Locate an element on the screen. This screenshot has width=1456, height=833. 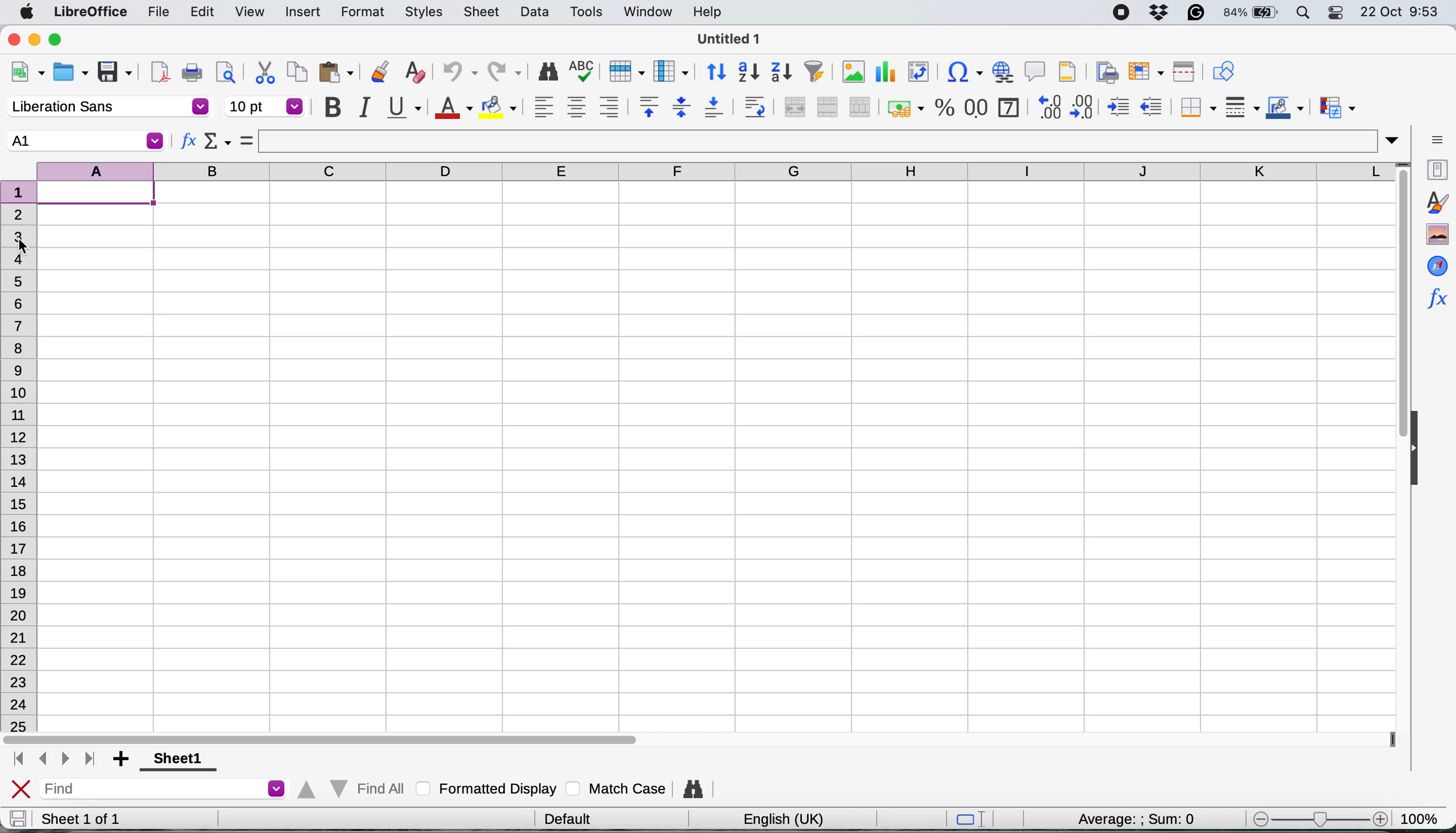
collapse is located at coordinates (1420, 450).